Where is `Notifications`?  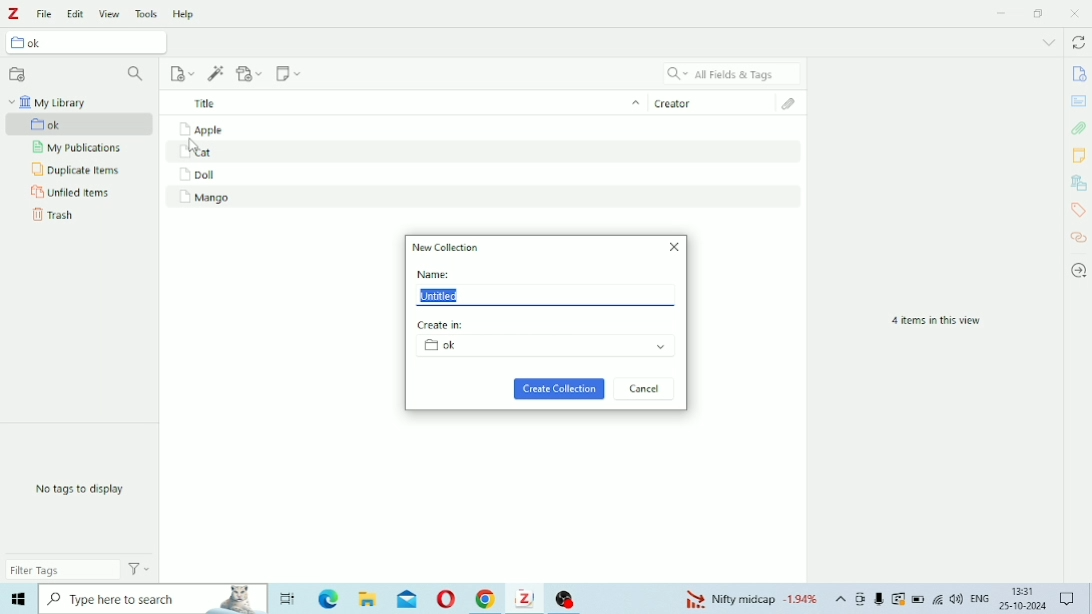 Notifications is located at coordinates (1067, 596).